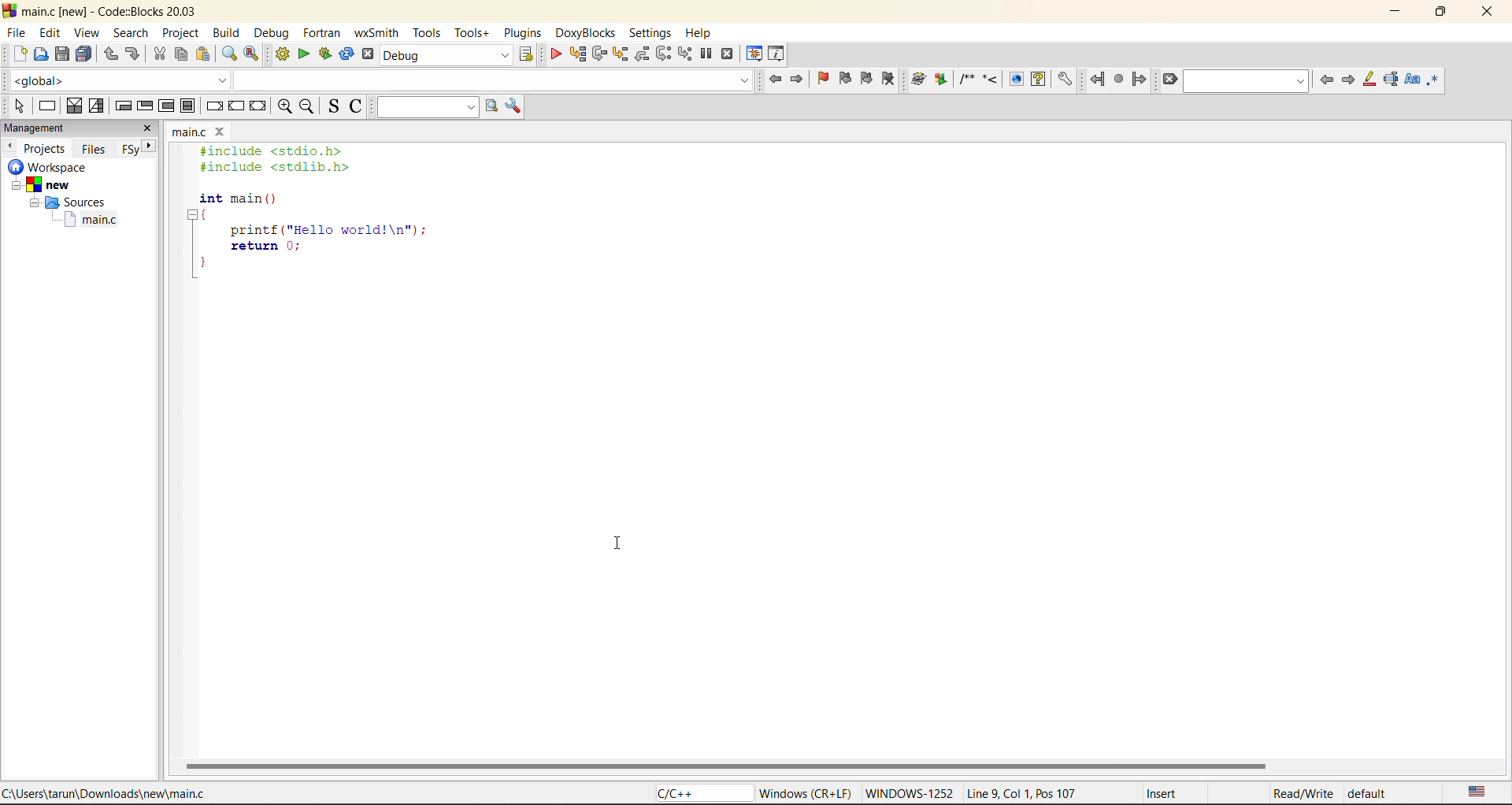  What do you see at coordinates (664, 54) in the screenshot?
I see `next instruction` at bounding box center [664, 54].